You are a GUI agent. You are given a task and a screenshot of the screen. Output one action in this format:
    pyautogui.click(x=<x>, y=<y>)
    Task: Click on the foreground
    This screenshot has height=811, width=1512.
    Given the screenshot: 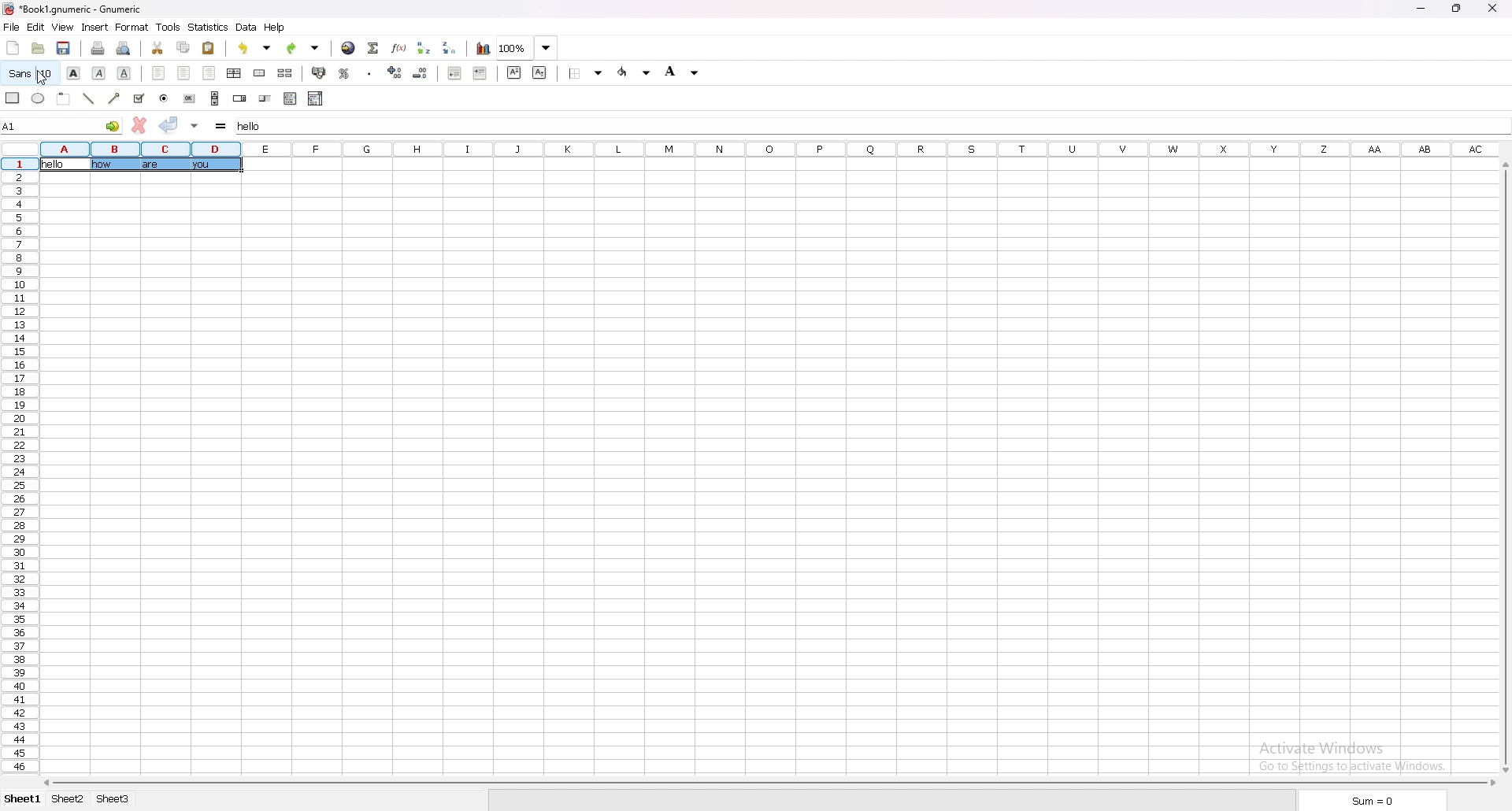 What is the action you would take?
    pyautogui.click(x=634, y=72)
    